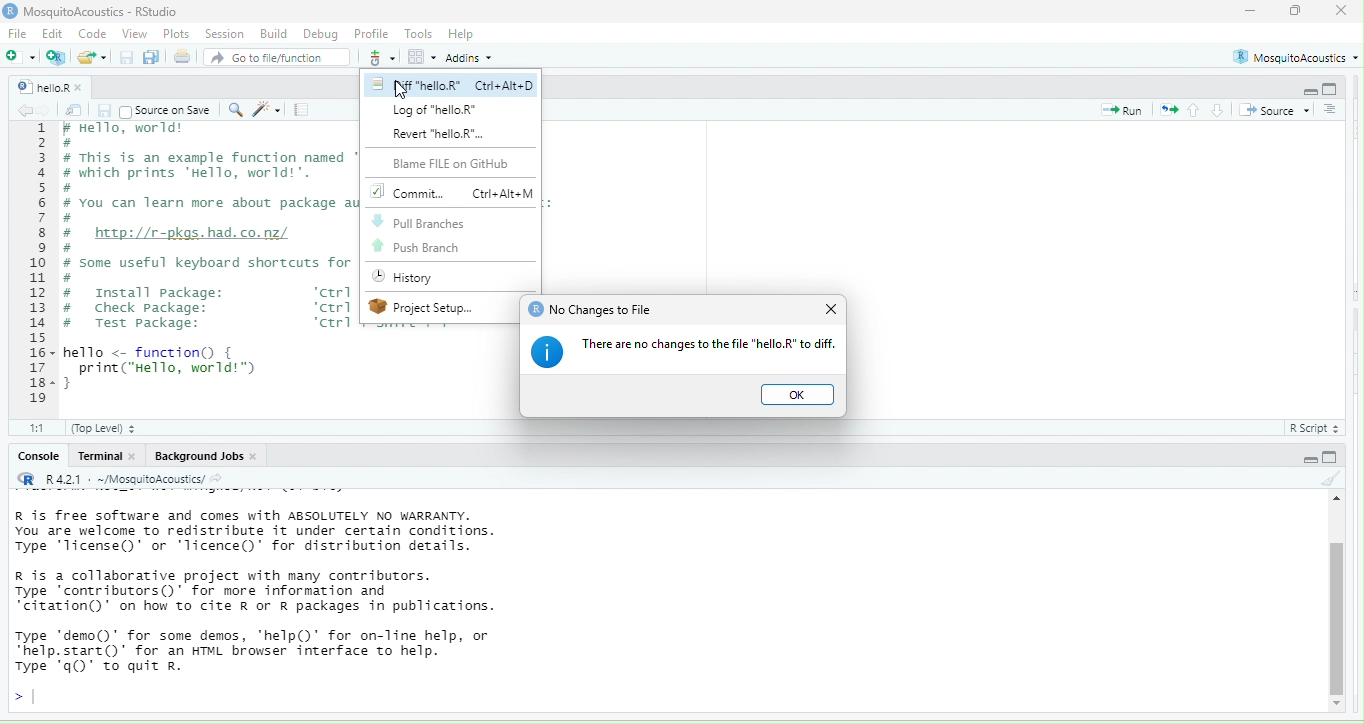  What do you see at coordinates (110, 10) in the screenshot?
I see `MosquitoAcoustics - RStudio` at bounding box center [110, 10].